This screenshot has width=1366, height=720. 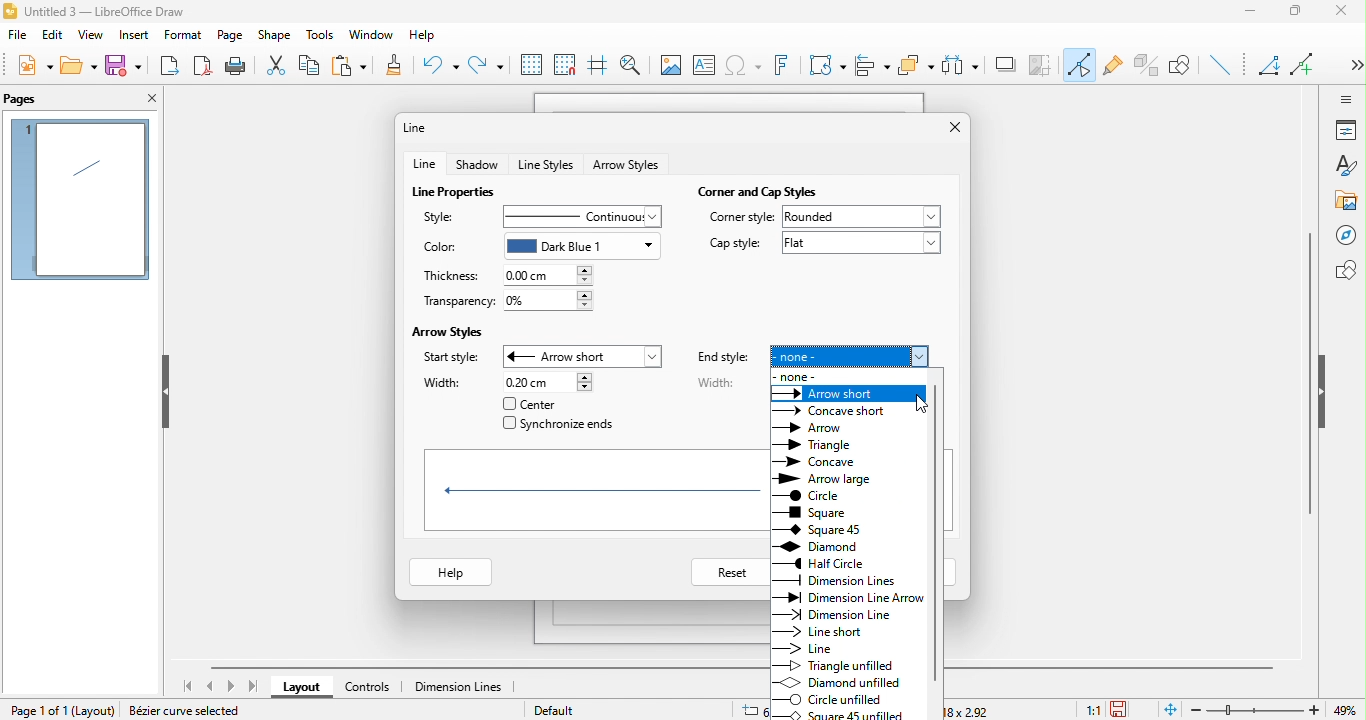 I want to click on 18x2.92, so click(x=967, y=711).